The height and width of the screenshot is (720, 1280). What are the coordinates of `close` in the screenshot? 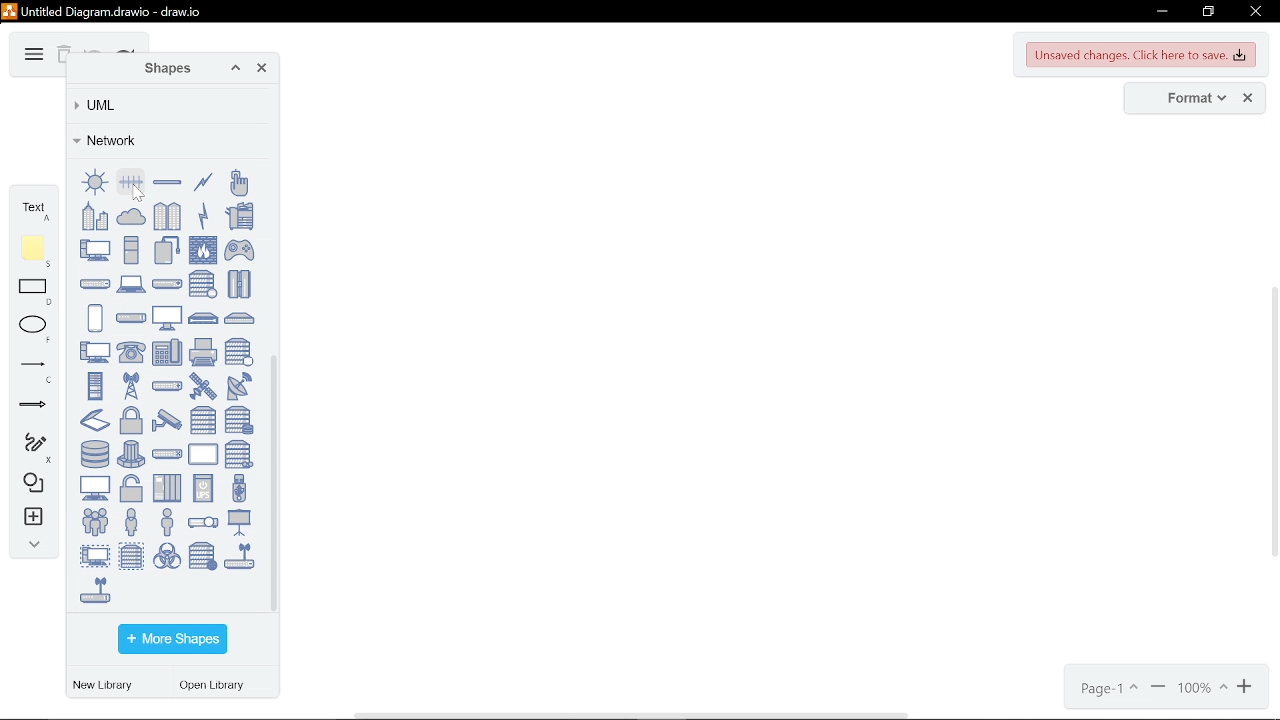 It's located at (1248, 99).